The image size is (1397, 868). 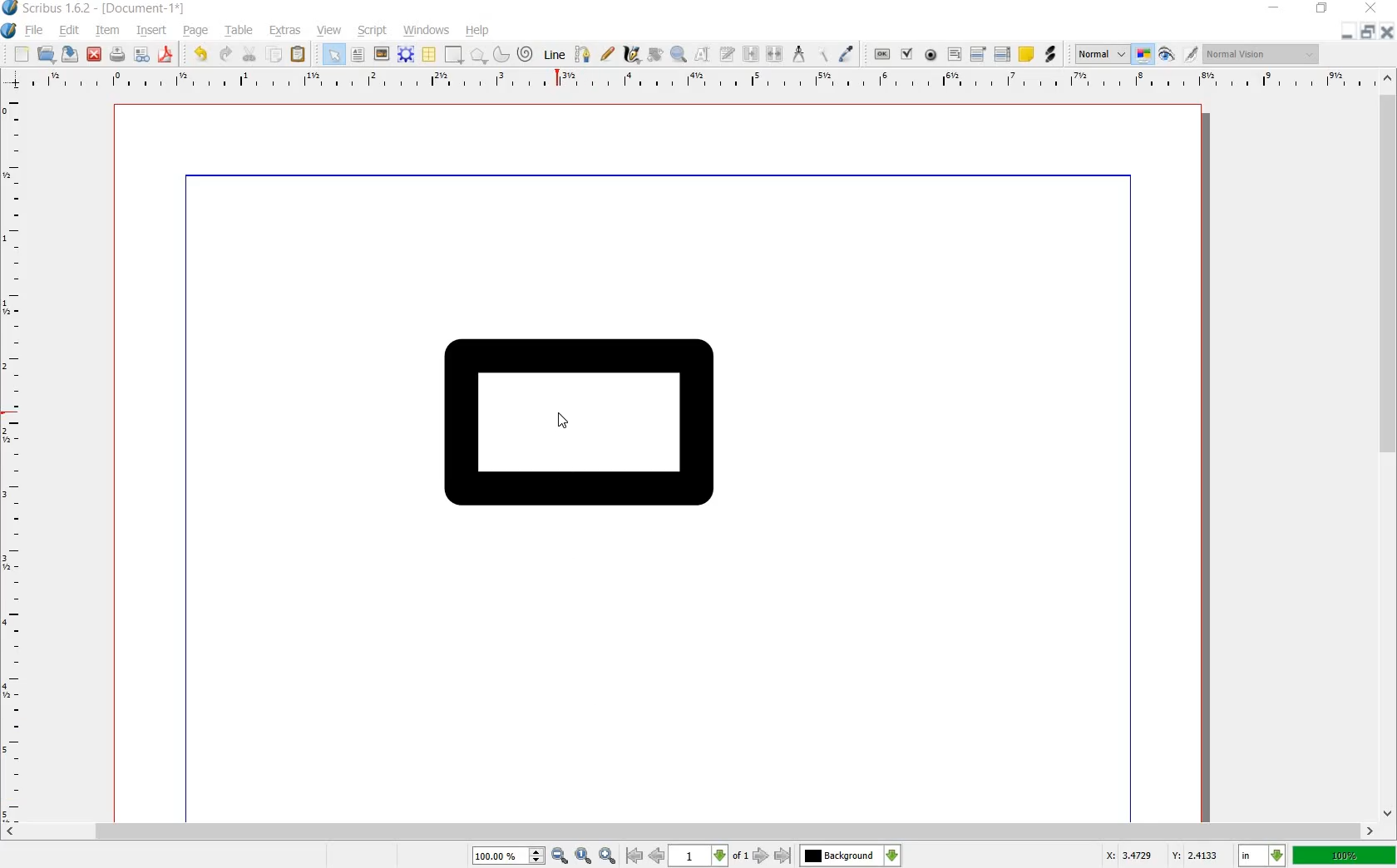 What do you see at coordinates (1369, 31) in the screenshot?
I see `restore document` at bounding box center [1369, 31].